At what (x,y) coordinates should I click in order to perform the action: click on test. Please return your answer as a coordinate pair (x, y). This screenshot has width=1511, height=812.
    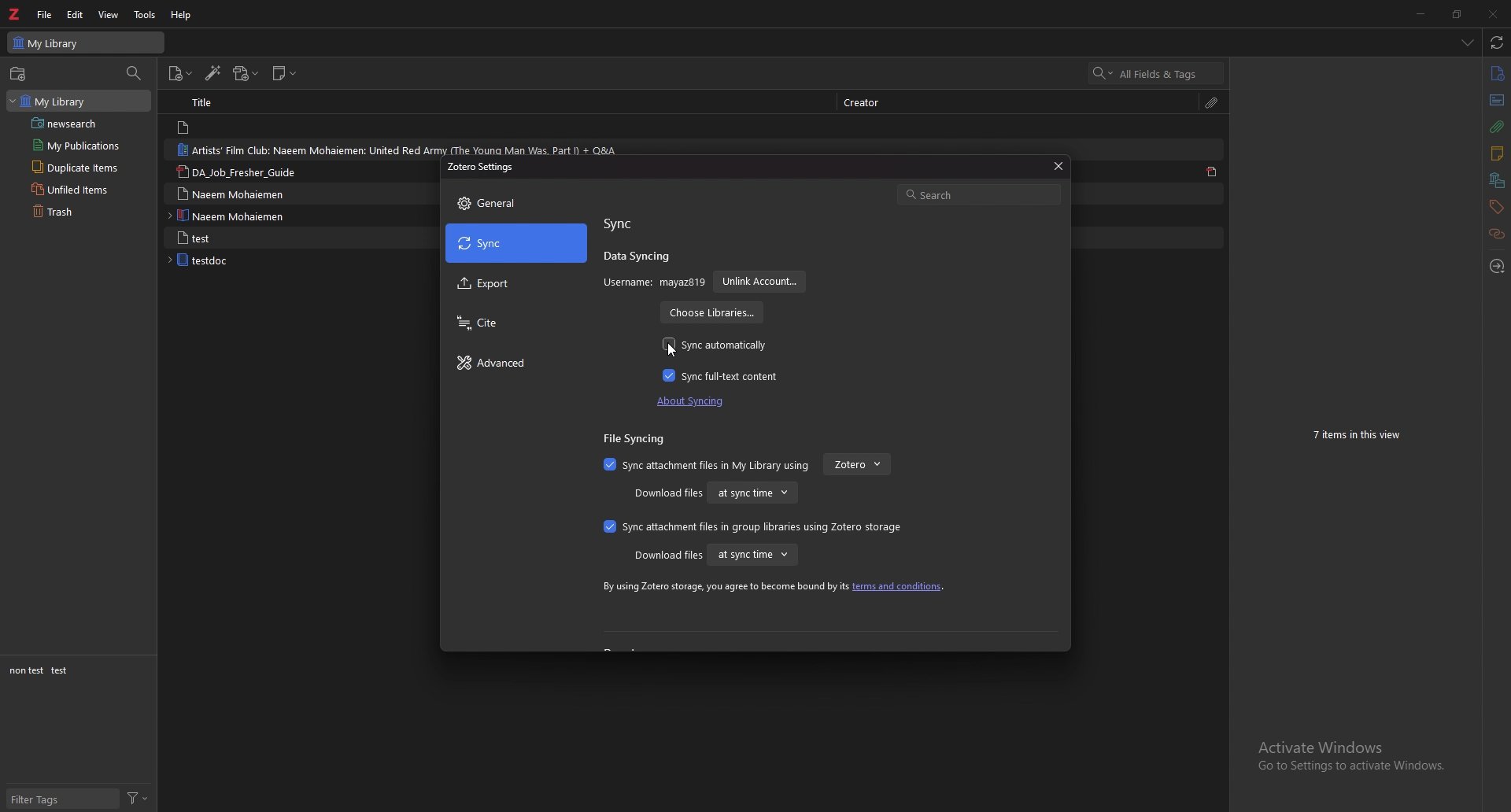
    Looking at the image, I should click on (61, 670).